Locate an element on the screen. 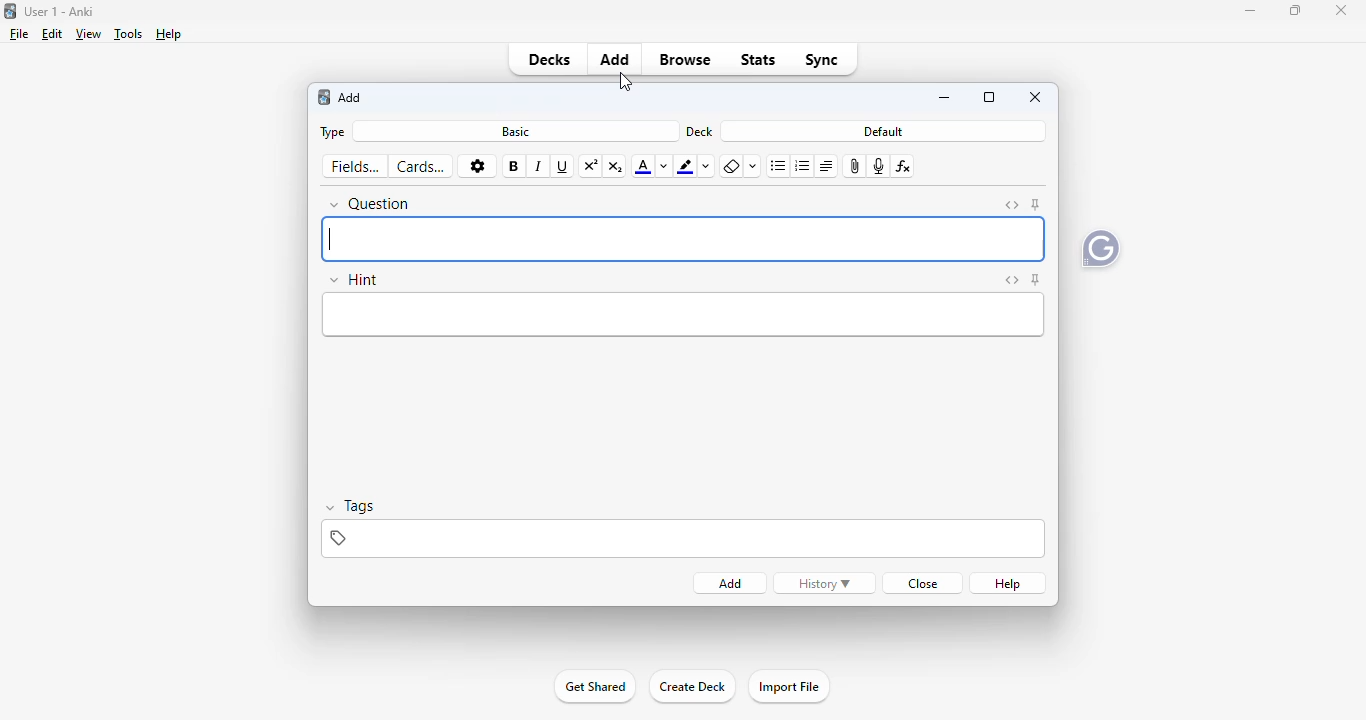 This screenshot has width=1366, height=720. cards is located at coordinates (422, 167).